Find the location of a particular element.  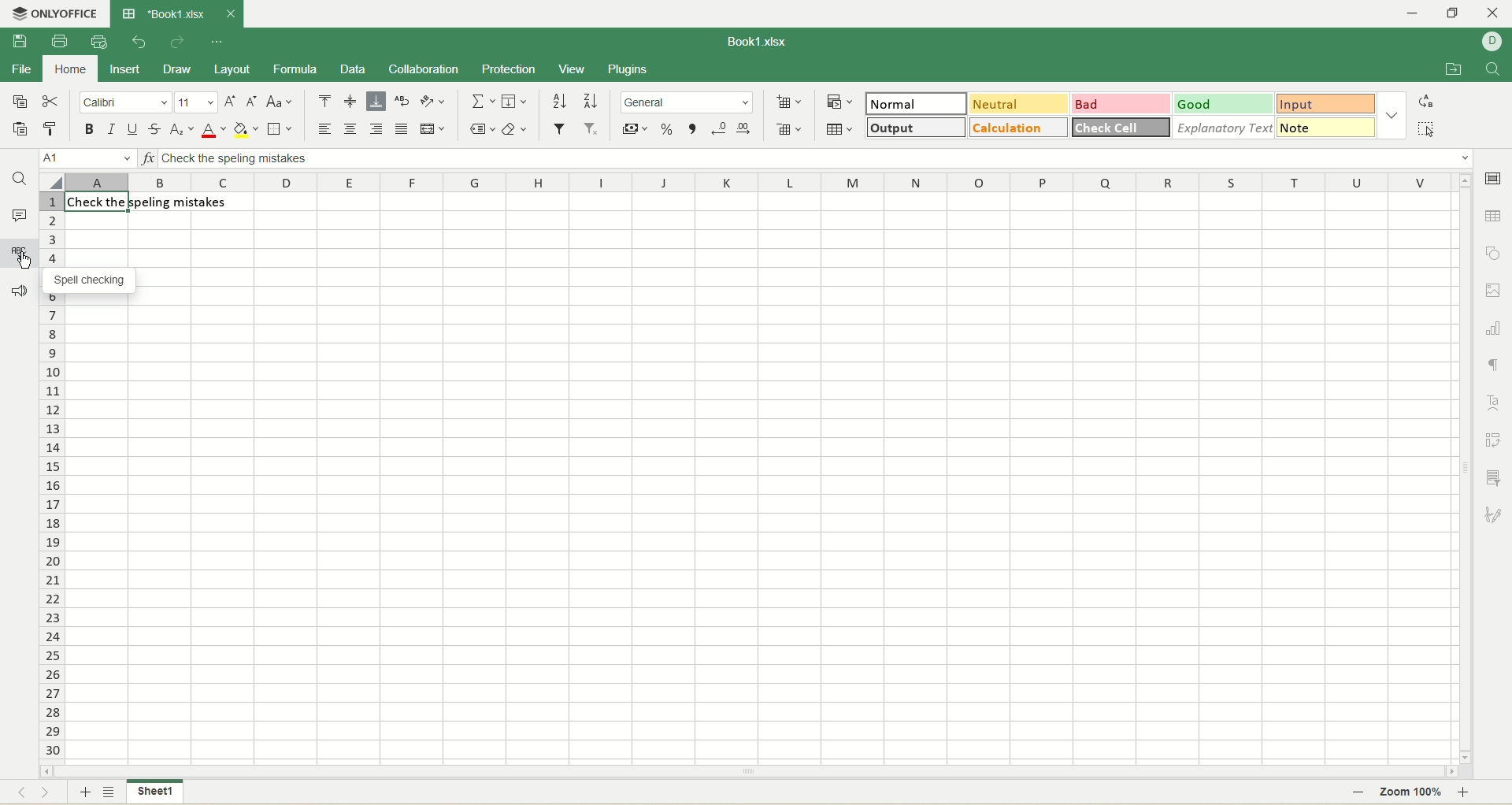

percent style is located at coordinates (668, 130).